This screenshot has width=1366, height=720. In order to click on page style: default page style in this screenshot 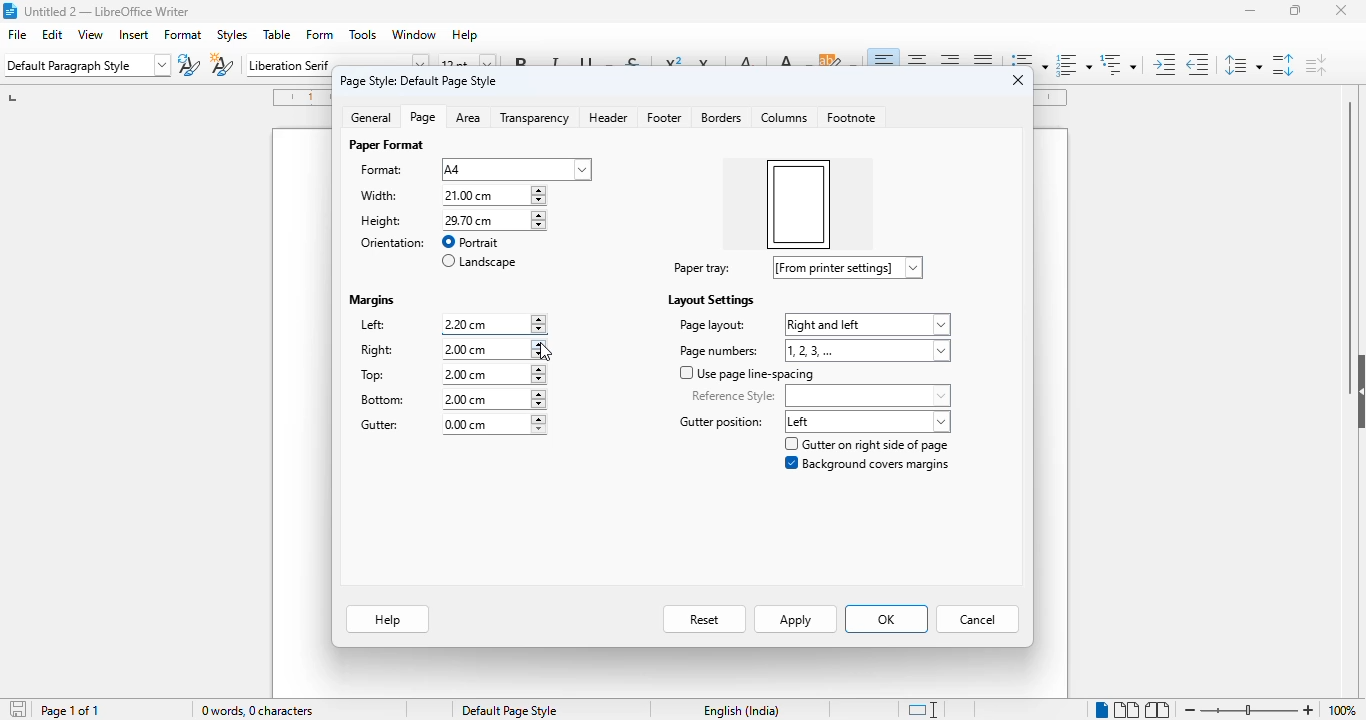, I will do `click(418, 80)`.